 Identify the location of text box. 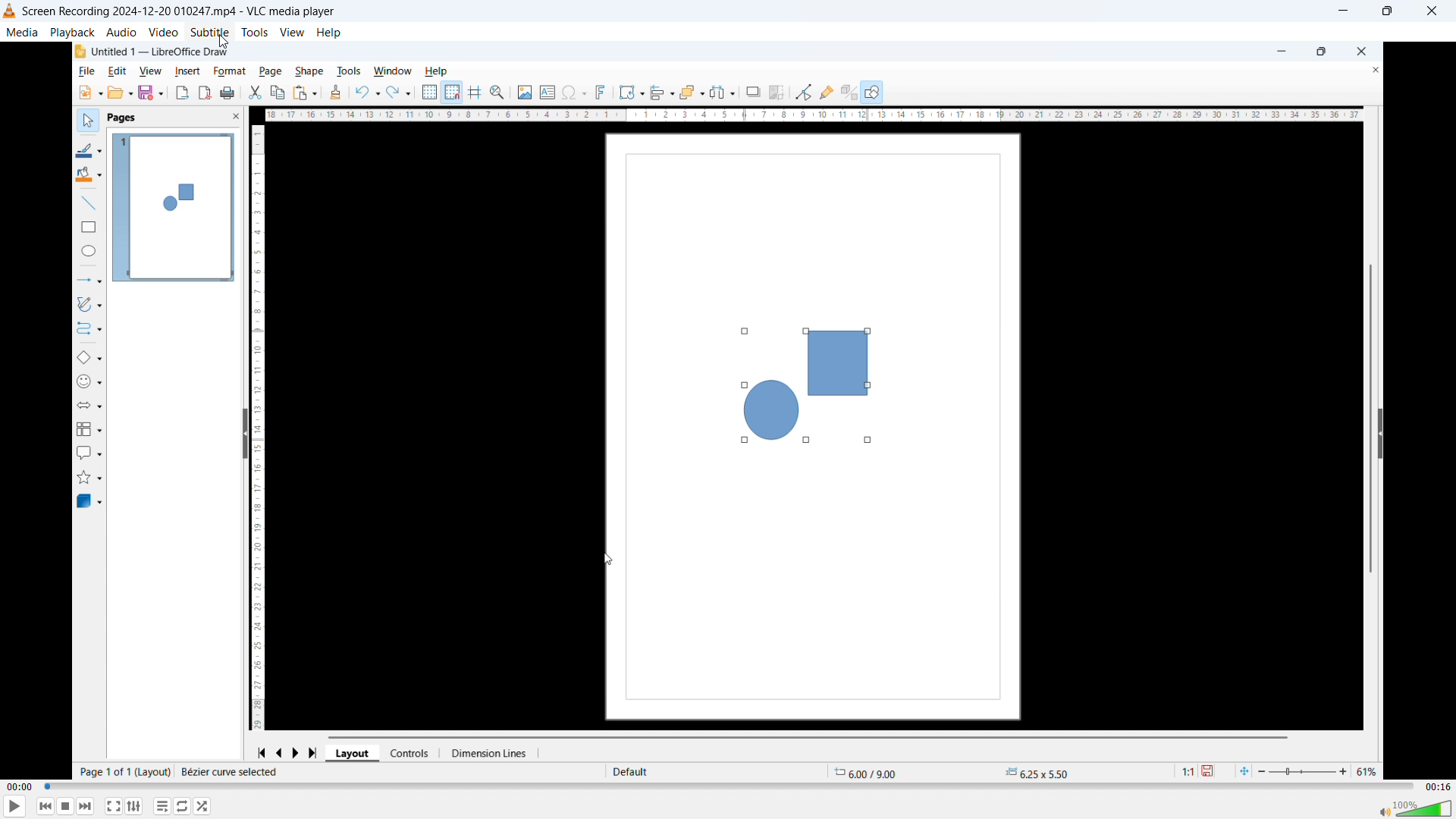
(547, 90).